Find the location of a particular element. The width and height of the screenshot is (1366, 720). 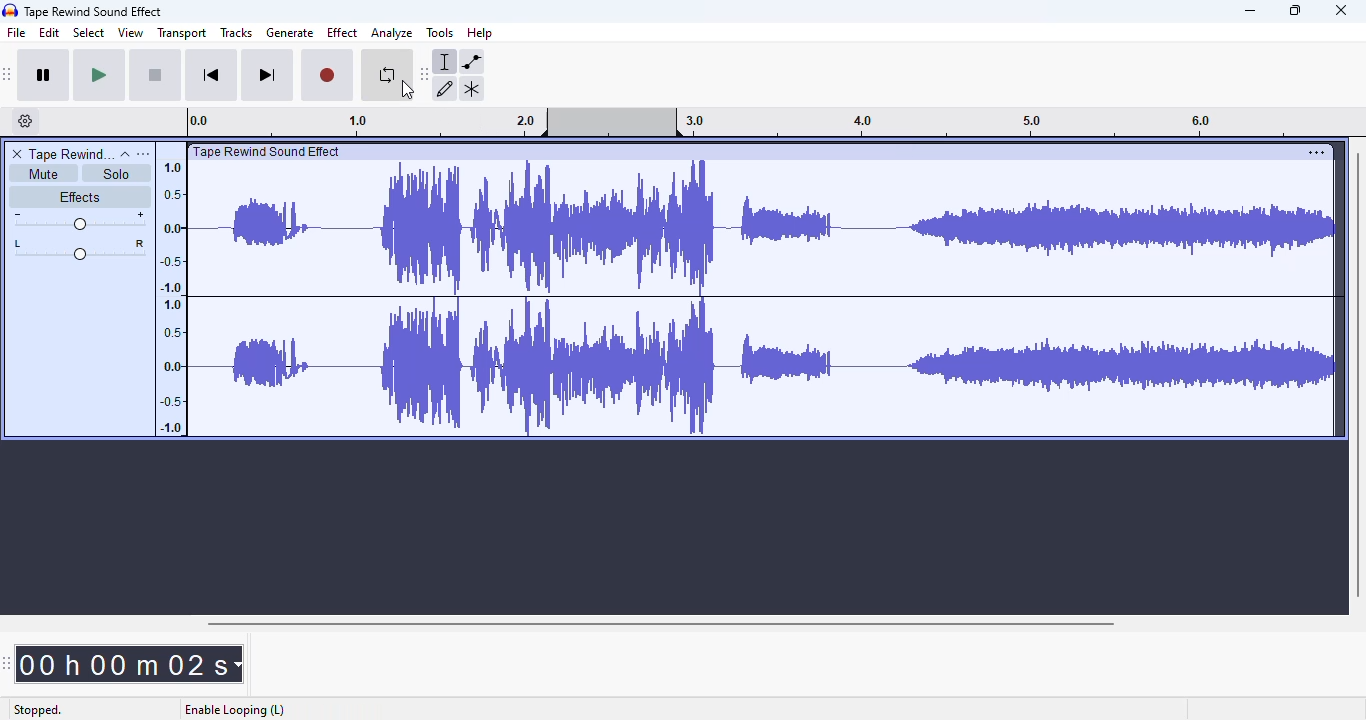

audio track is located at coordinates (764, 298).